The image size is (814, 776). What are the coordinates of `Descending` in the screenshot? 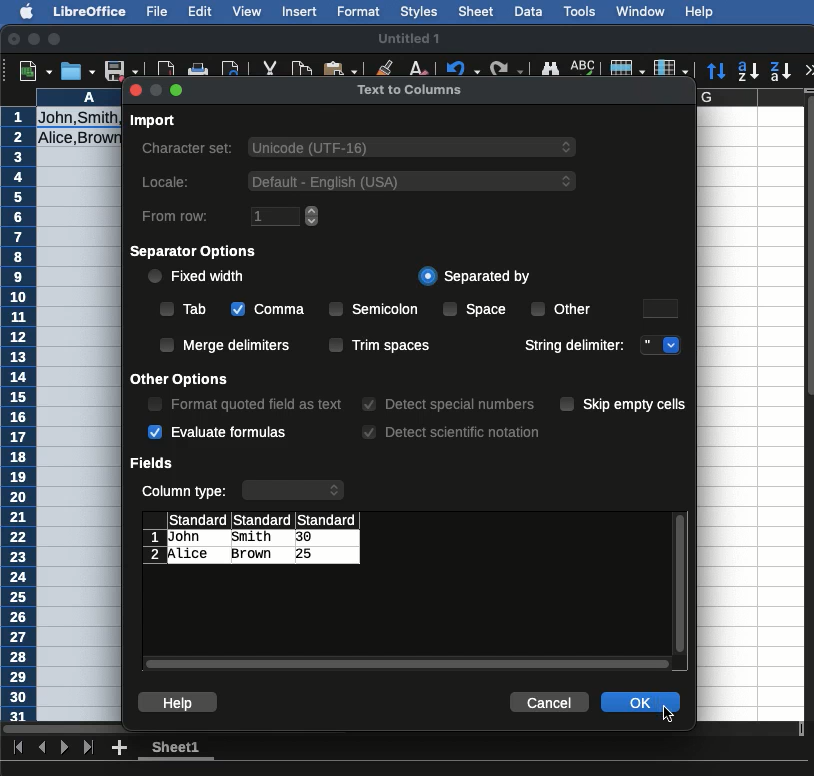 It's located at (781, 71).